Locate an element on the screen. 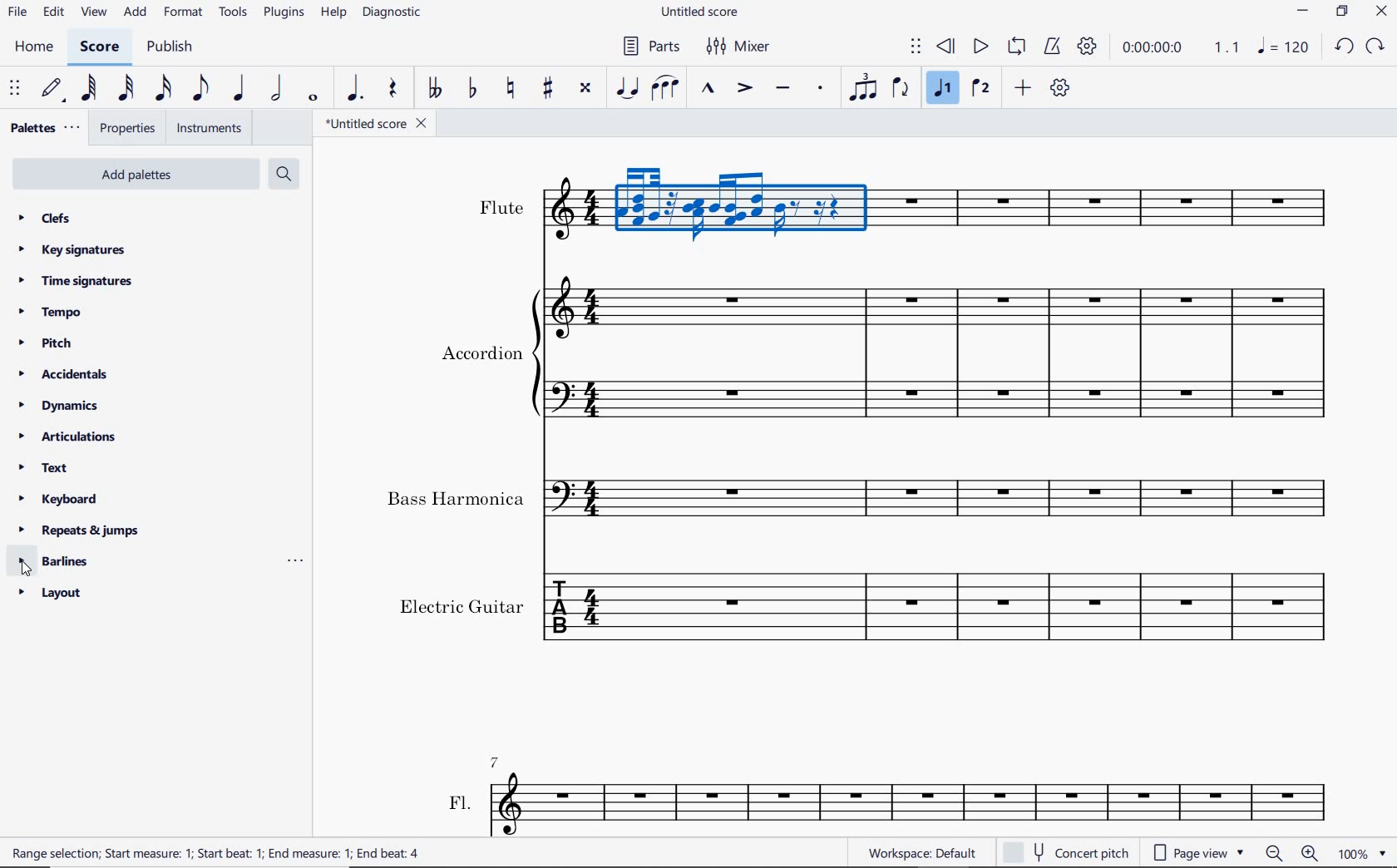 This screenshot has width=1397, height=868. file is located at coordinates (16, 14).